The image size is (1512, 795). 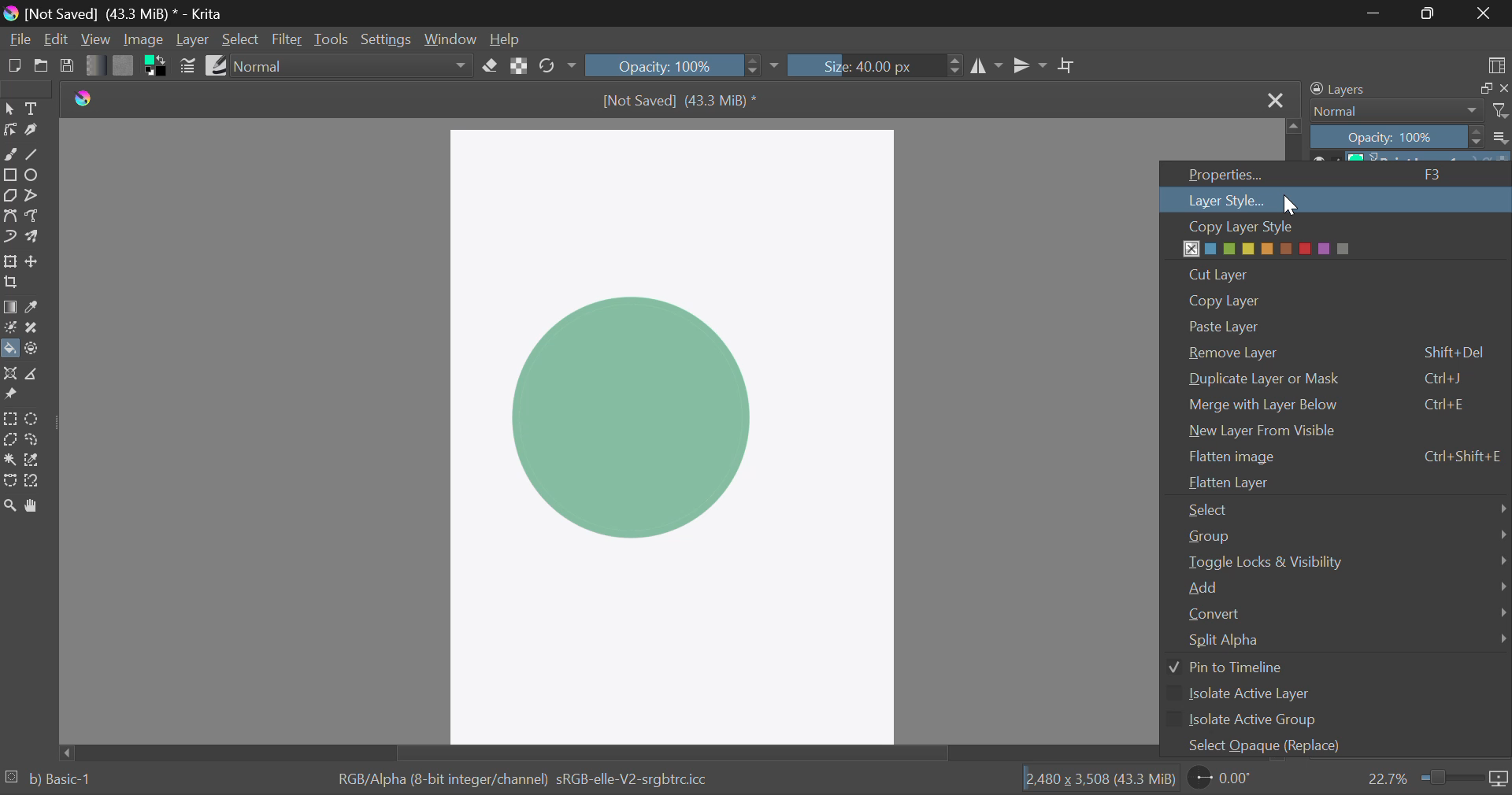 What do you see at coordinates (288, 39) in the screenshot?
I see `Filter` at bounding box center [288, 39].